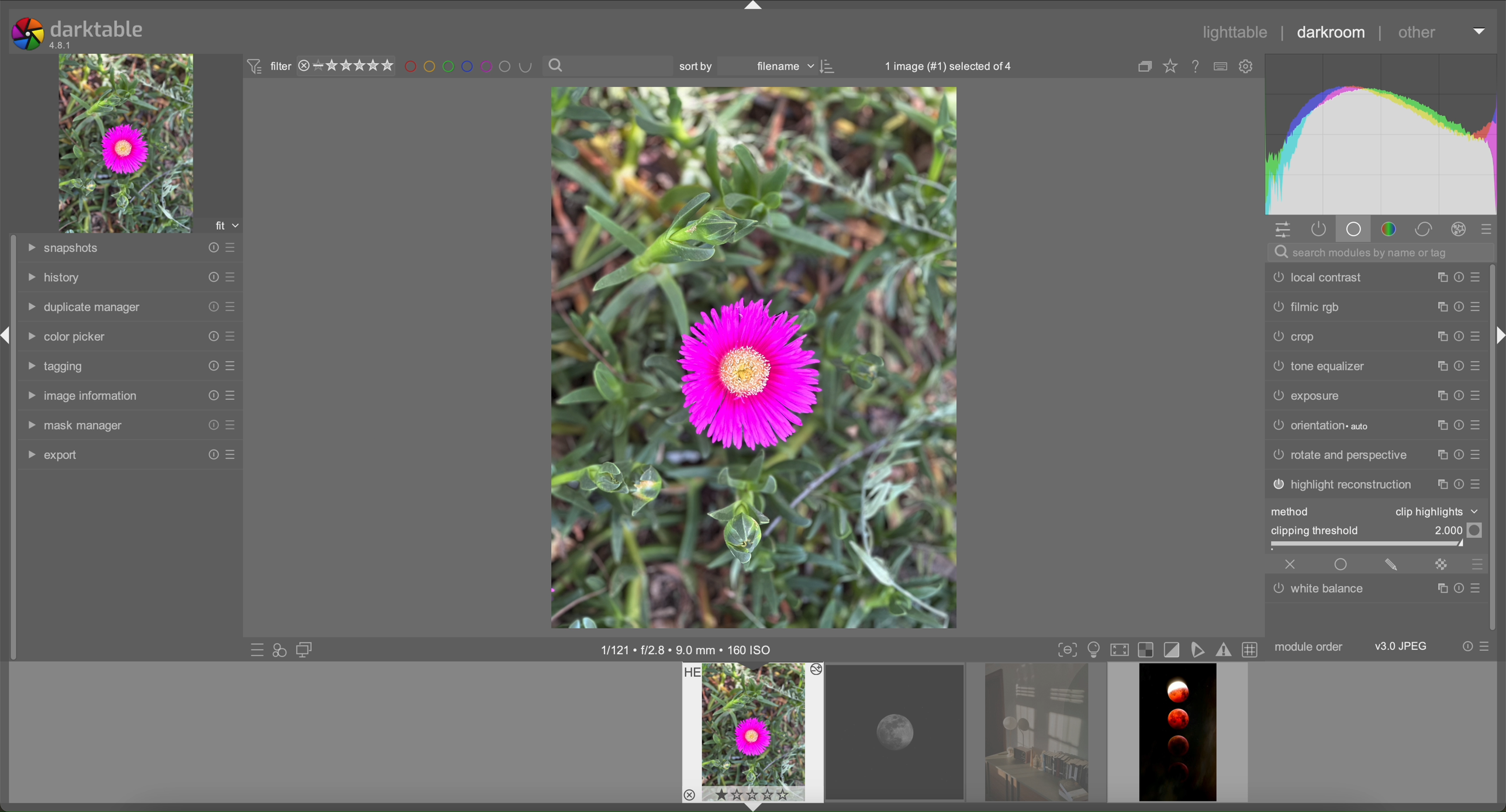  Describe the element at coordinates (1175, 650) in the screenshot. I see `toggle cliping indication` at that location.